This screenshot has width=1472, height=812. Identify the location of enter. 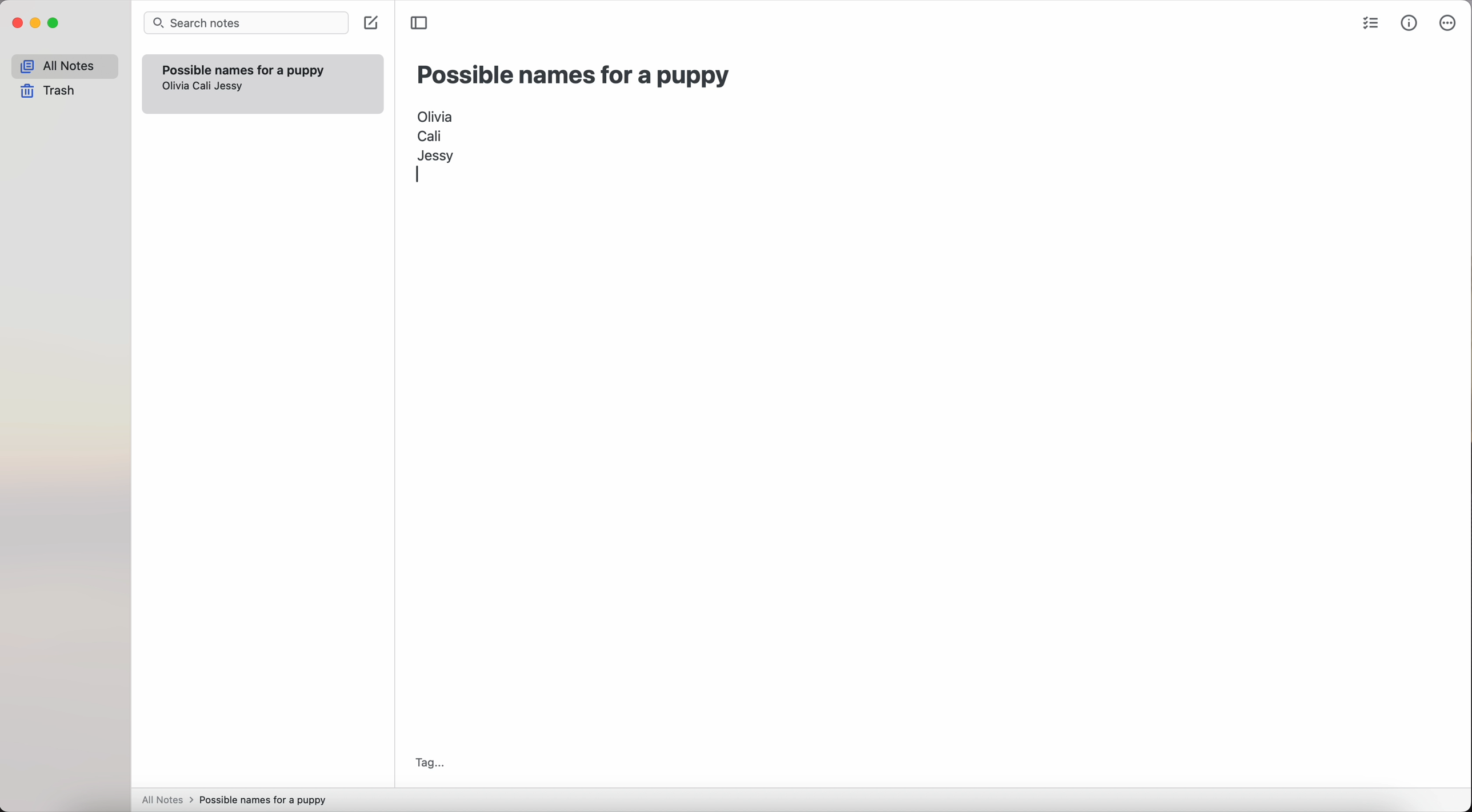
(417, 175).